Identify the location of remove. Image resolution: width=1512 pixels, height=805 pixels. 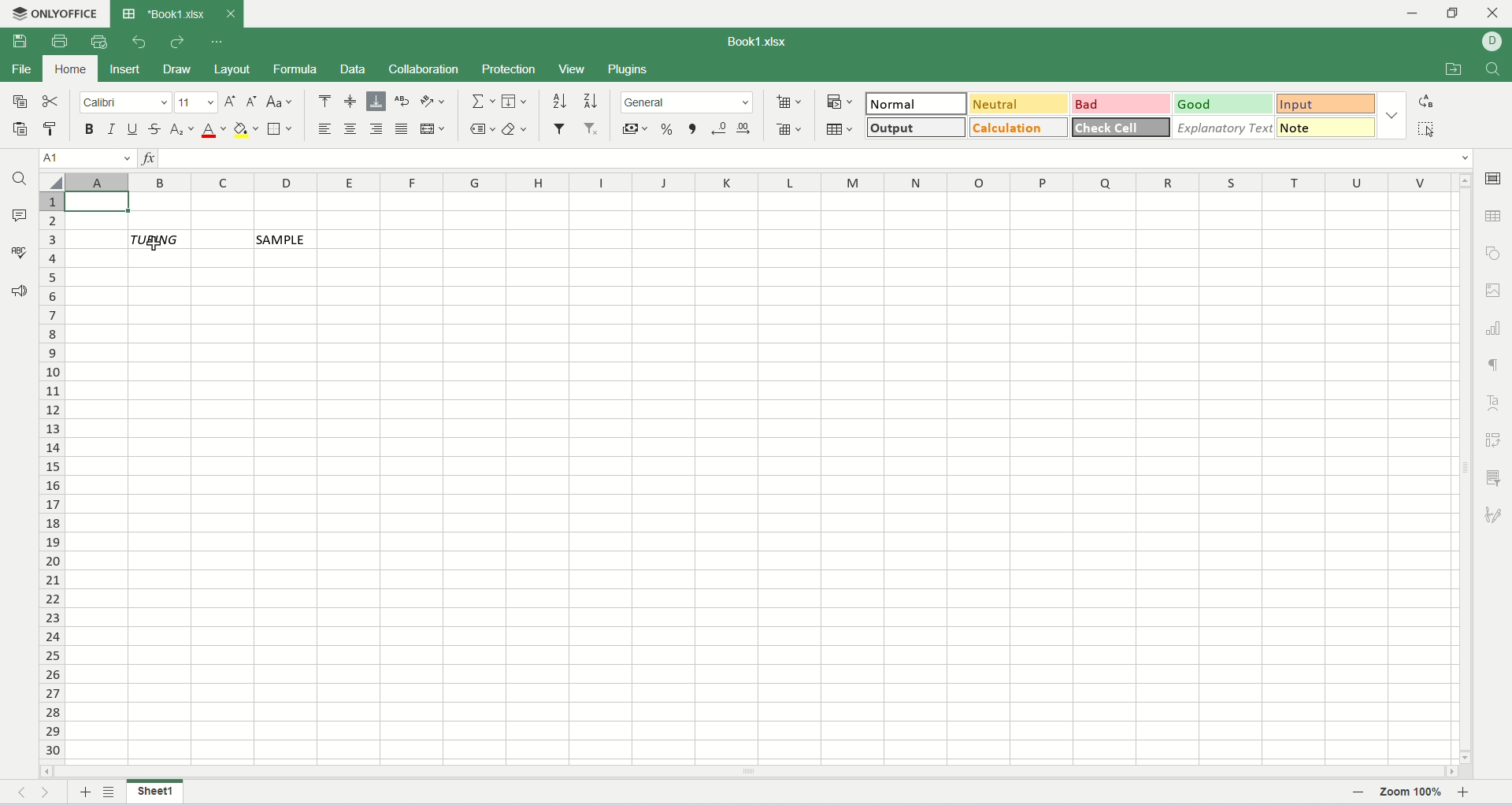
(593, 129).